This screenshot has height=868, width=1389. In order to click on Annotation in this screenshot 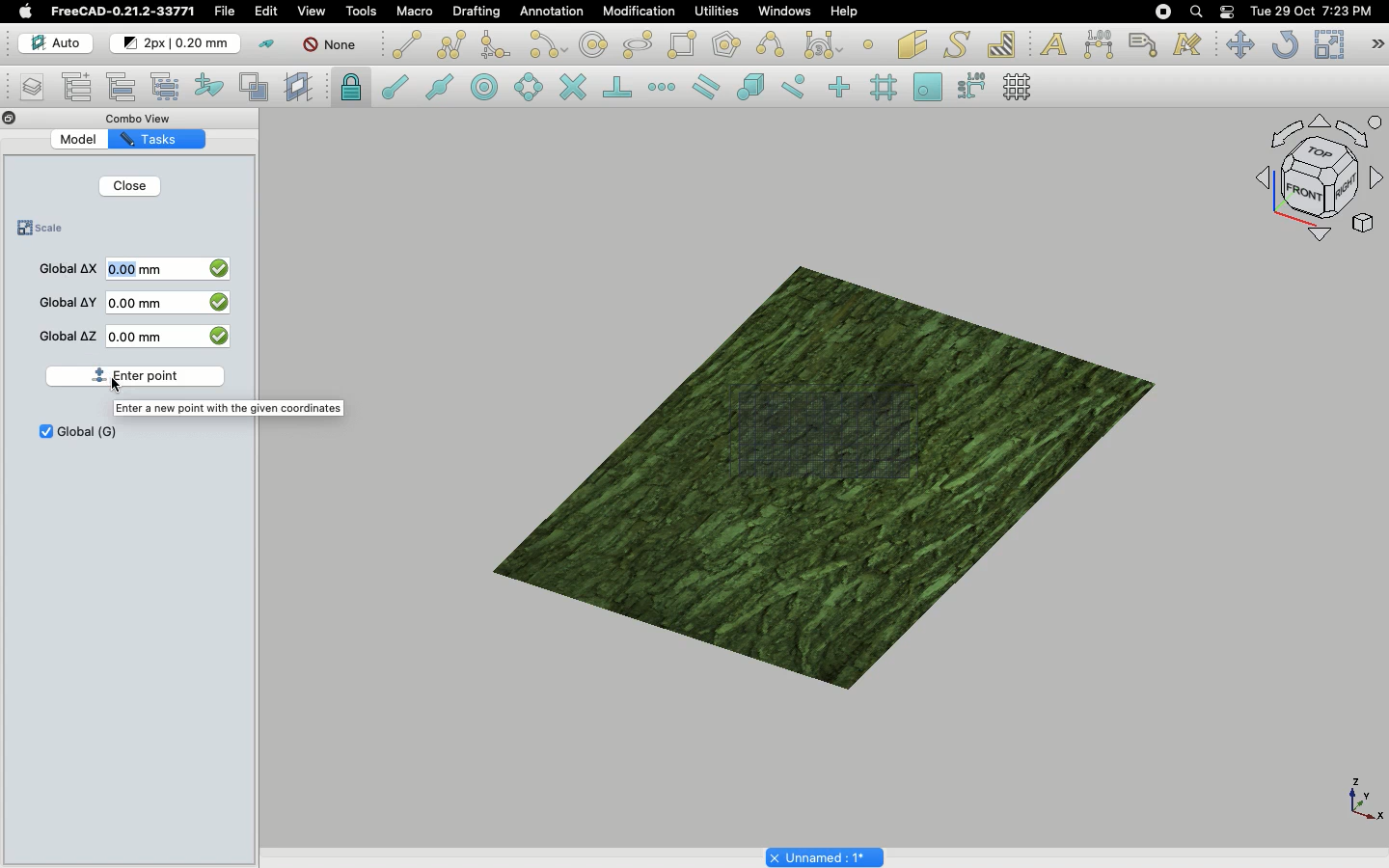, I will do `click(553, 12)`.